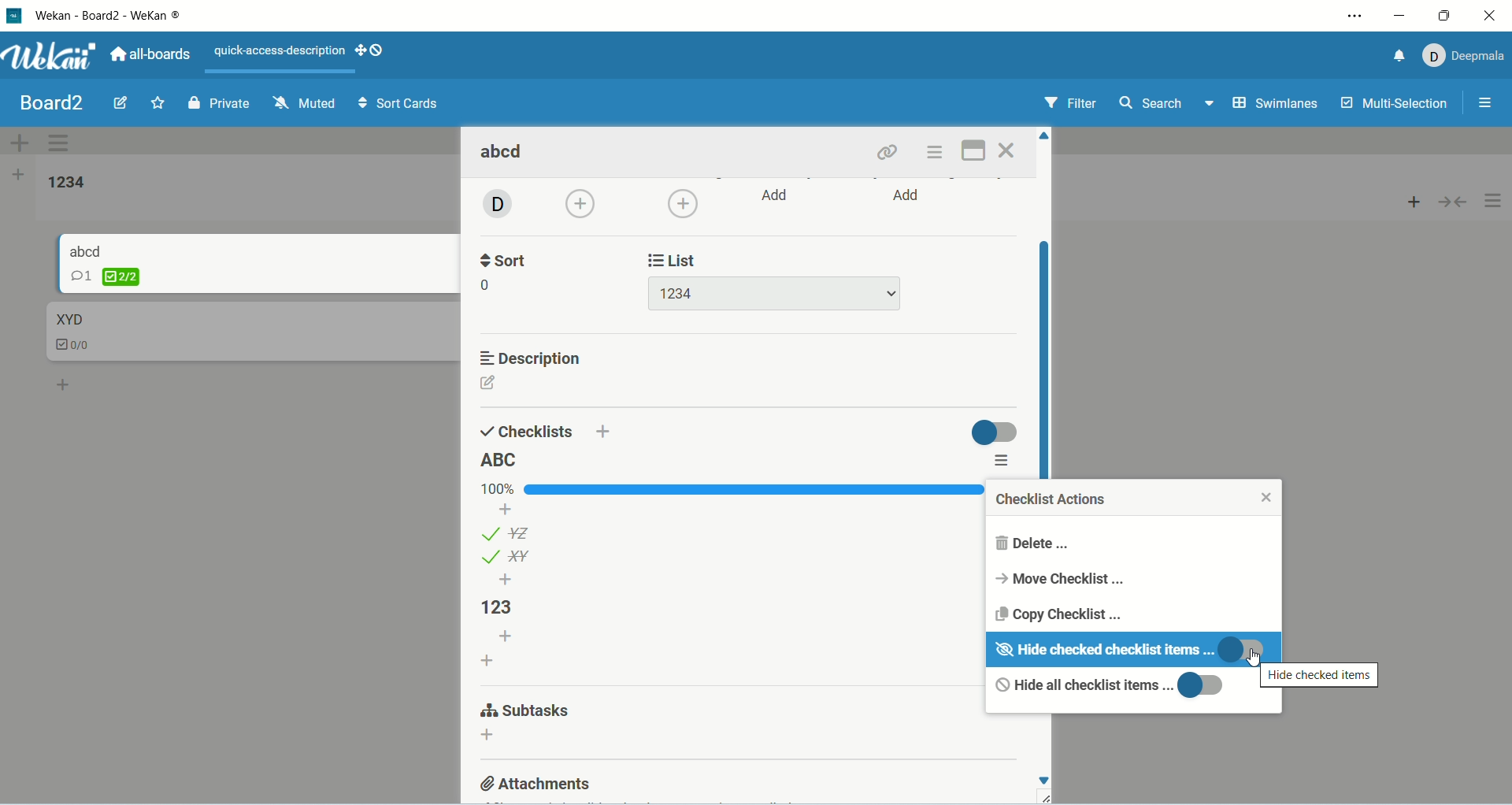 This screenshot has width=1512, height=805. What do you see at coordinates (537, 782) in the screenshot?
I see `attachments` at bounding box center [537, 782].